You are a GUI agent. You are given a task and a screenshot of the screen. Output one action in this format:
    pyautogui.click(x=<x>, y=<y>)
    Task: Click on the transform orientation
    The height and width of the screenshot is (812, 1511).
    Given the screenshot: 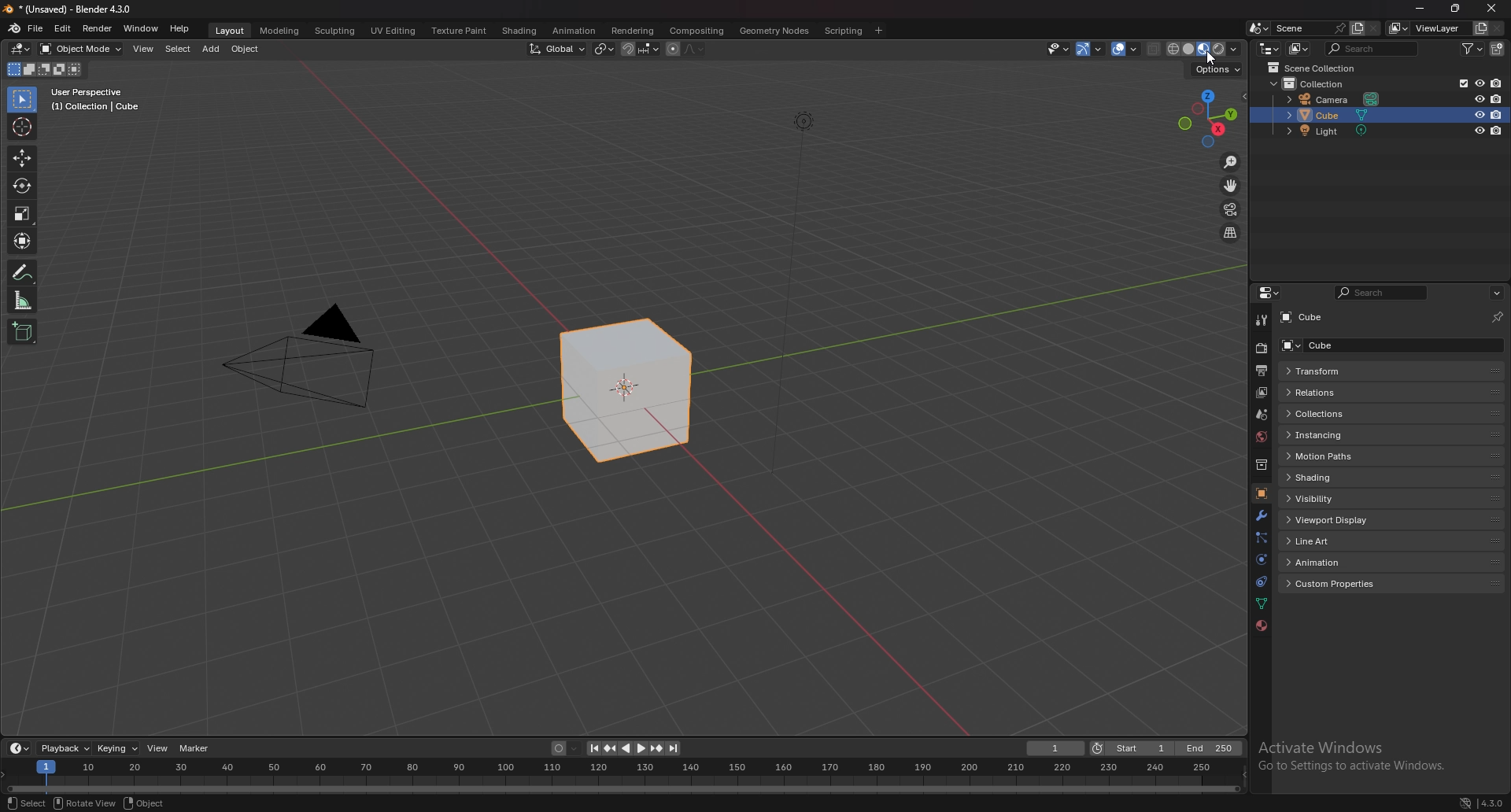 What is the action you would take?
    pyautogui.click(x=558, y=48)
    